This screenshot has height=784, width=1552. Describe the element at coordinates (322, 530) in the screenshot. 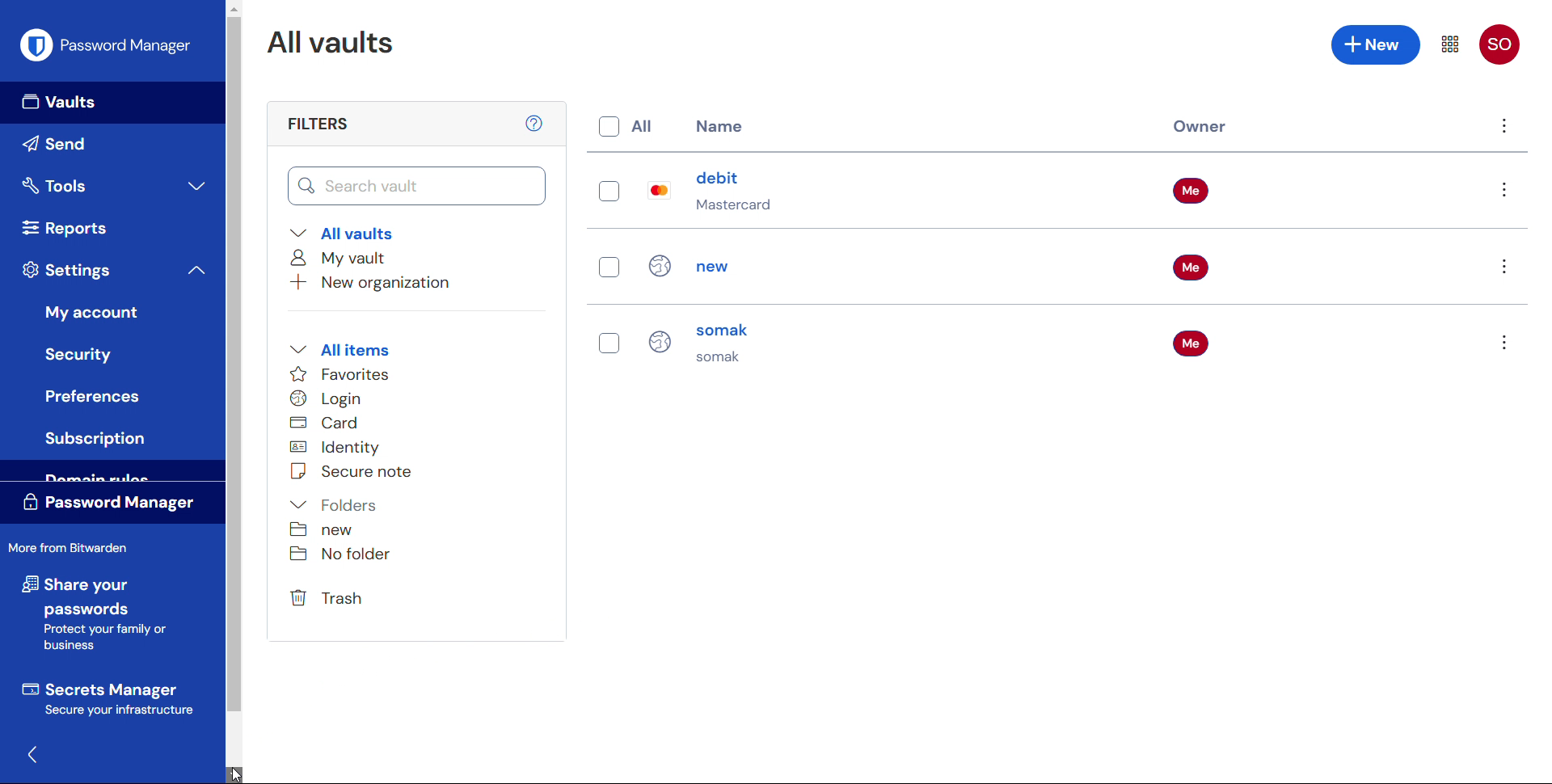

I see `new ` at that location.